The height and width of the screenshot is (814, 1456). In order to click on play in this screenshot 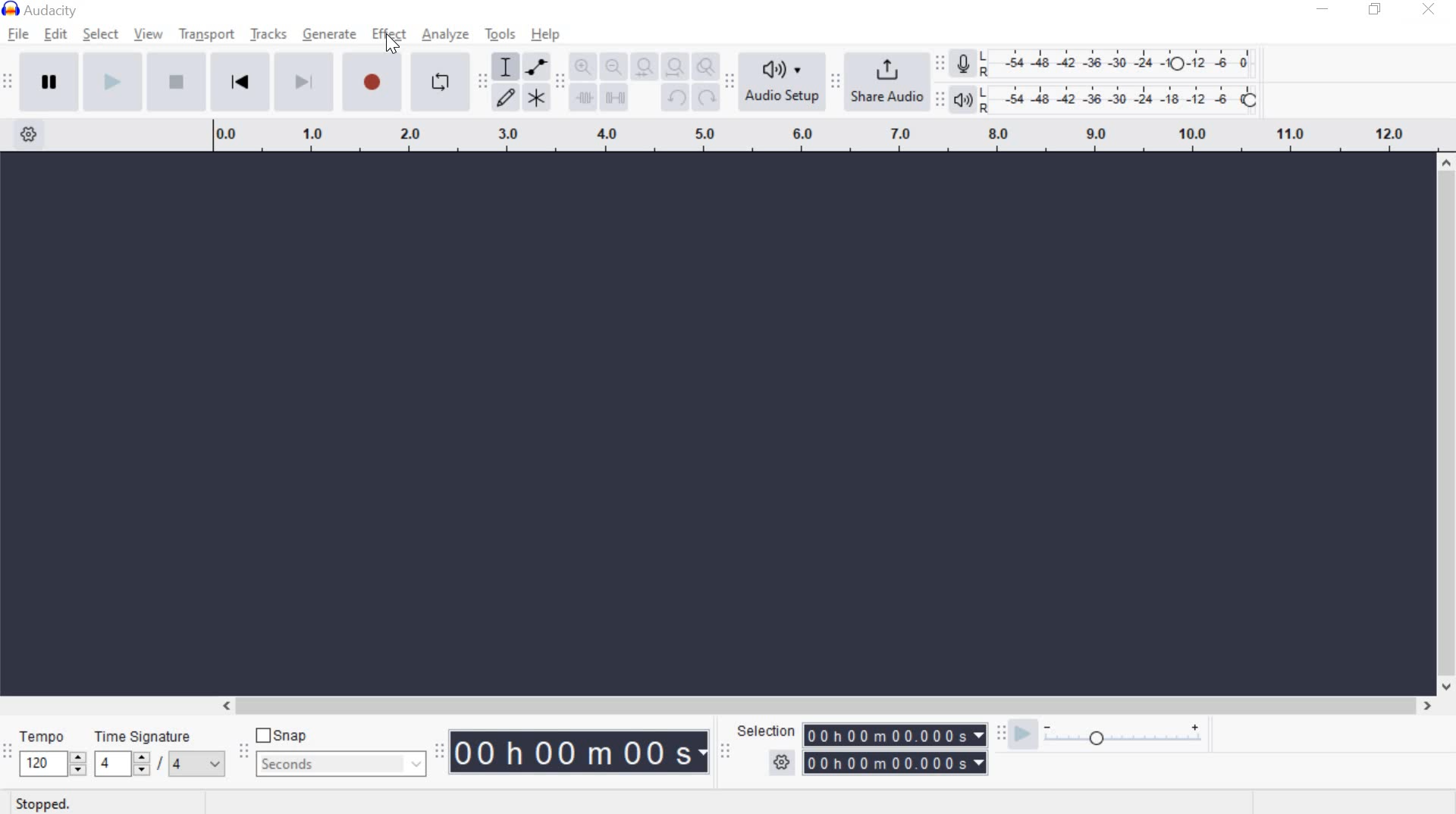, I will do `click(111, 83)`.